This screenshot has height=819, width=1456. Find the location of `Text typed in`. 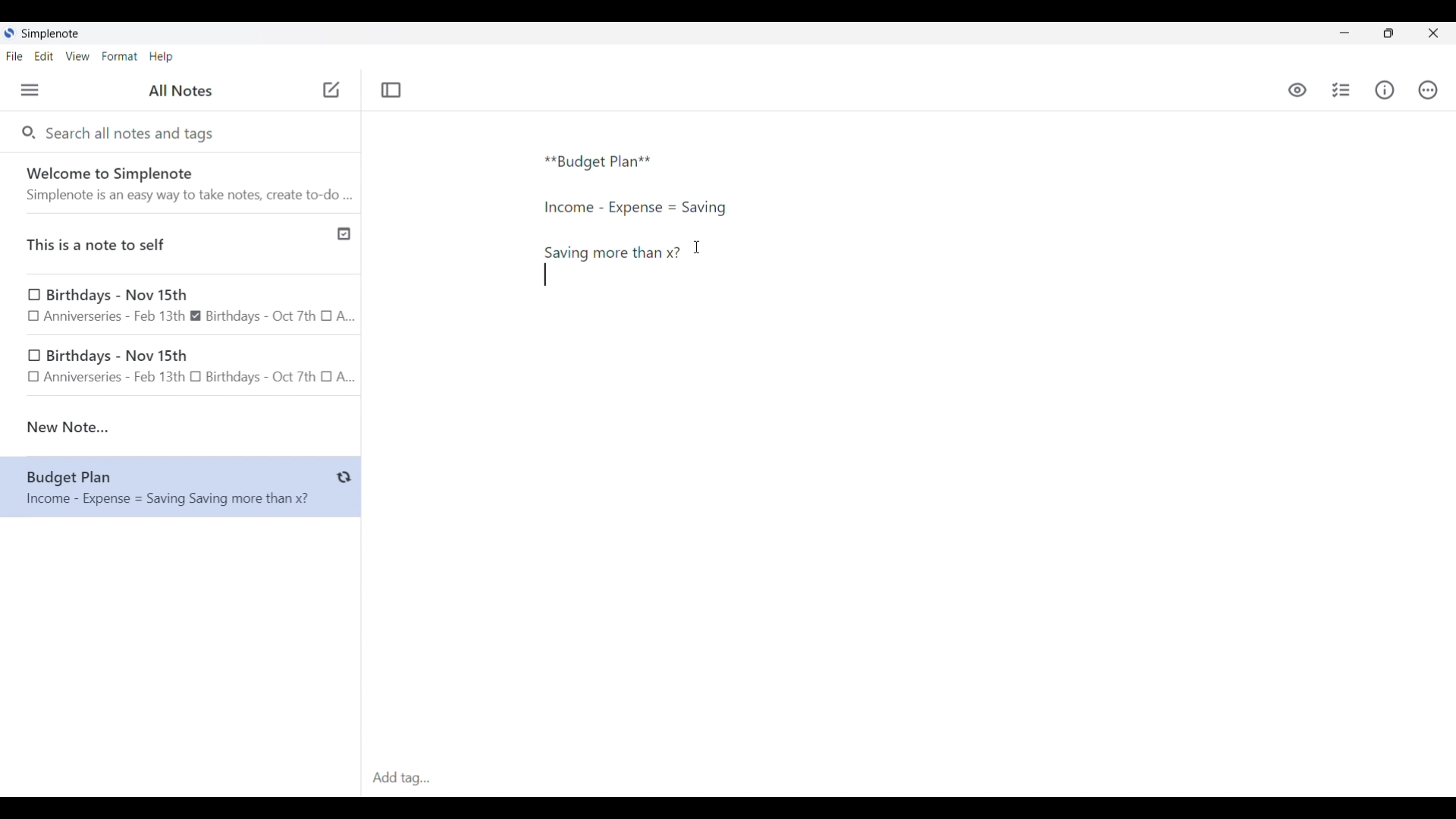

Text typed in is located at coordinates (598, 162).